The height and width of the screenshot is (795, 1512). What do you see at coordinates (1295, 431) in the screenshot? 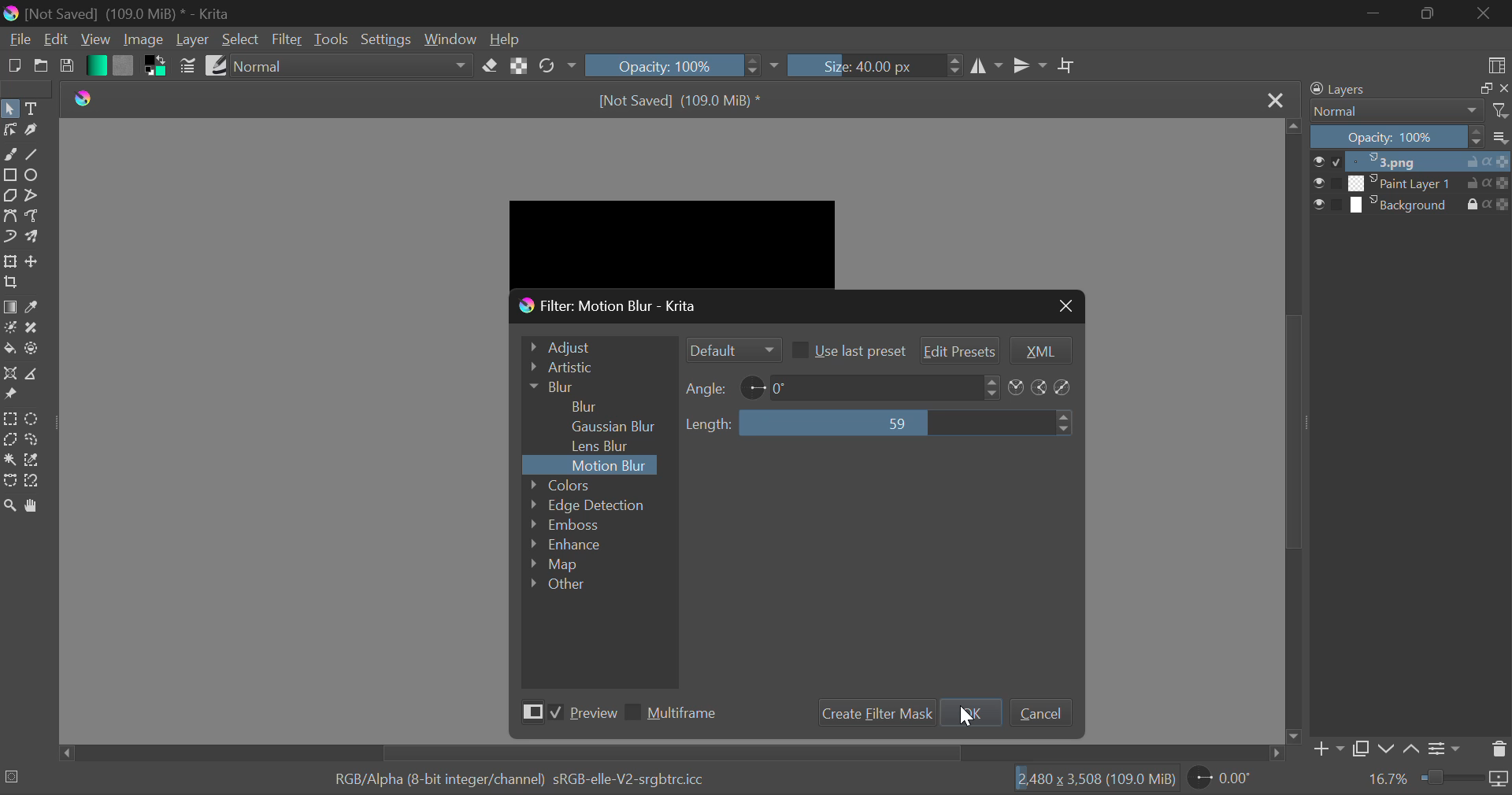
I see `Scroll Bar` at bounding box center [1295, 431].